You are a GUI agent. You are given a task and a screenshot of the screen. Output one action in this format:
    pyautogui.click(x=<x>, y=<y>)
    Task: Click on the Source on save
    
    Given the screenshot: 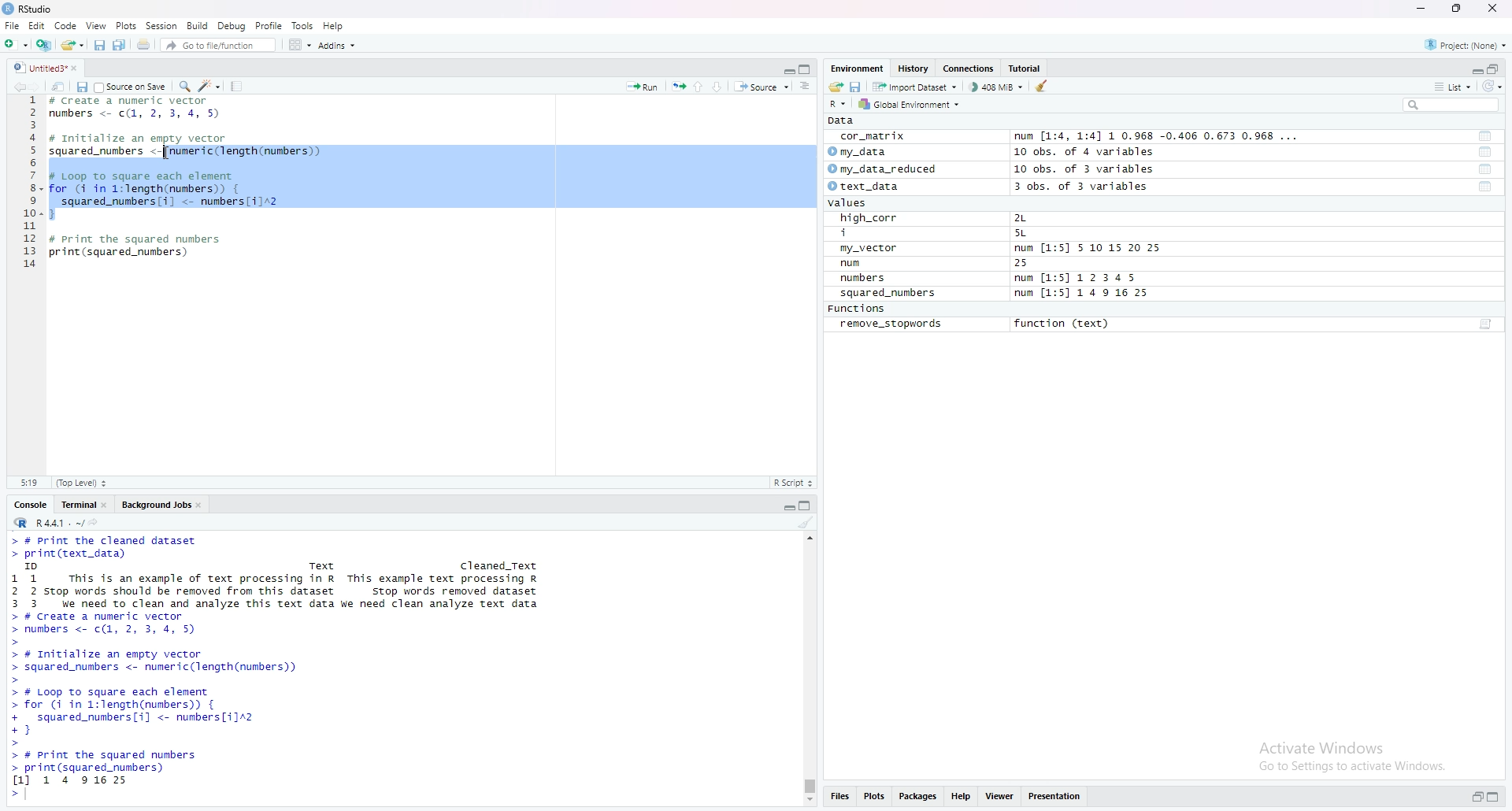 What is the action you would take?
    pyautogui.click(x=132, y=86)
    